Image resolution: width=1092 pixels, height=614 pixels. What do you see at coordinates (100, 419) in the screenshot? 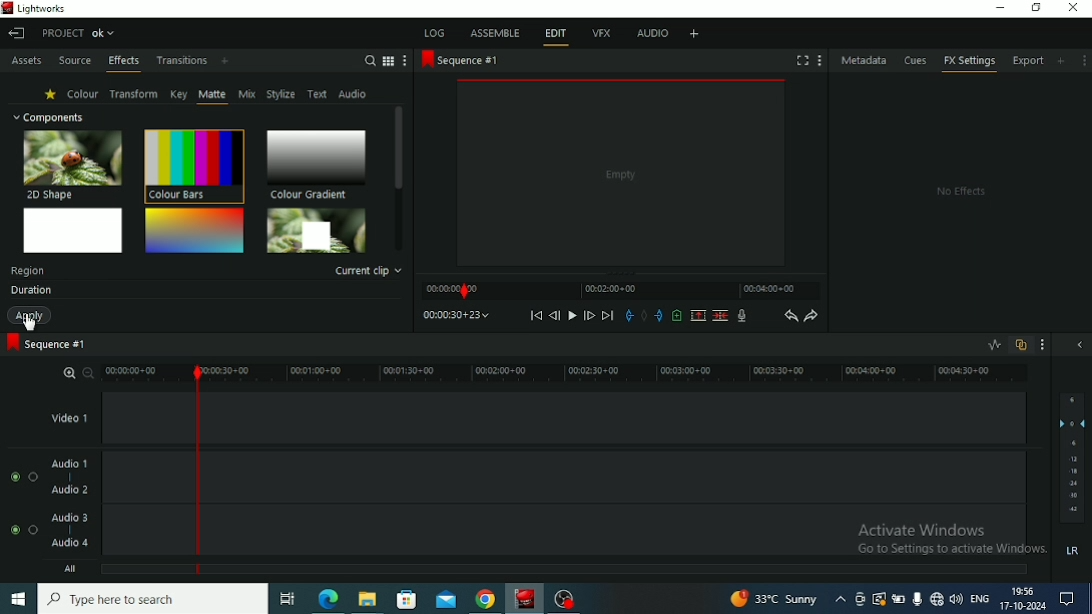
I see `Video 1` at bounding box center [100, 419].